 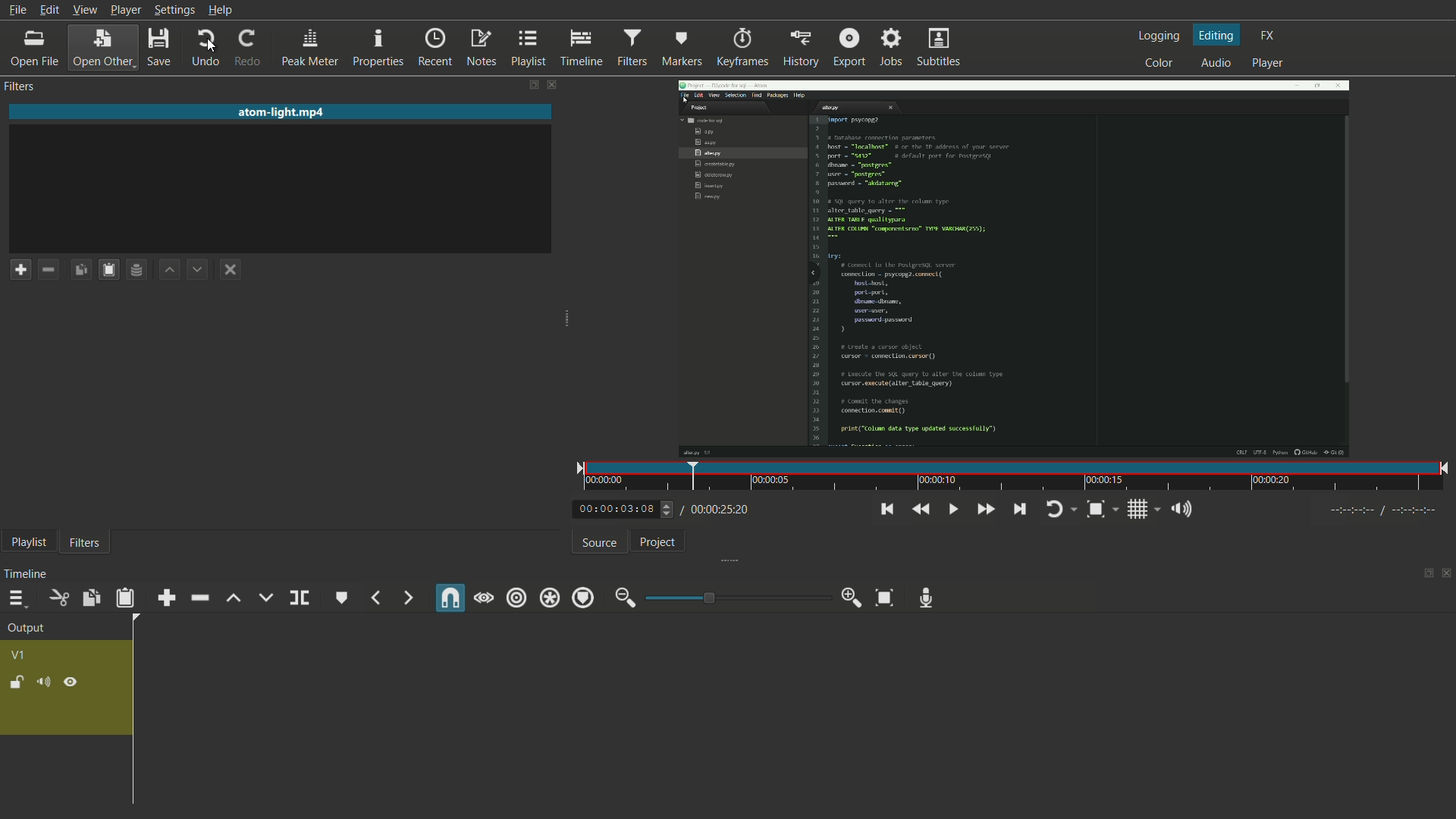 I want to click on Settings, so click(x=176, y=11).